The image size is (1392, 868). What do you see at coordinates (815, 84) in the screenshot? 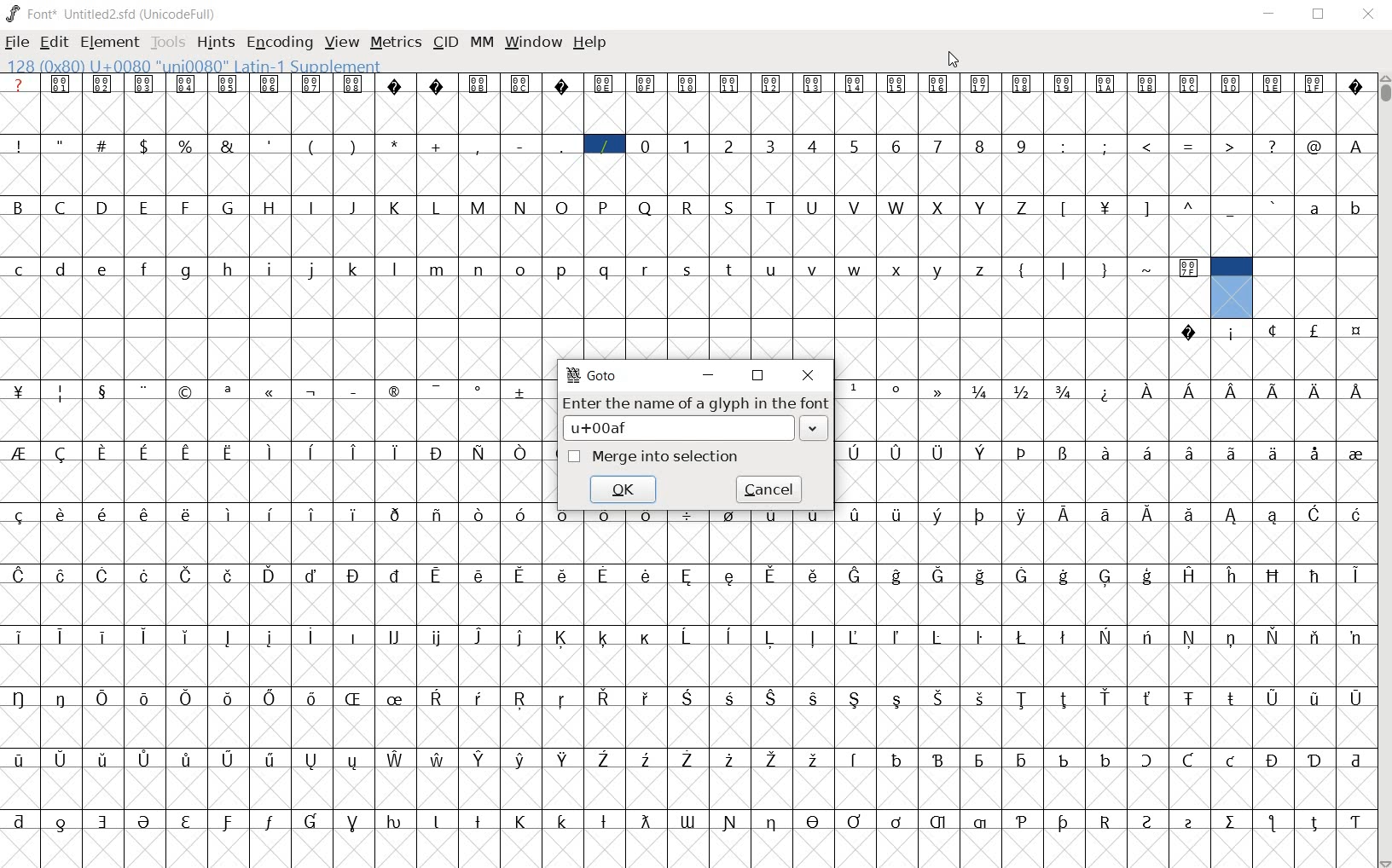
I see `Symbol` at bounding box center [815, 84].